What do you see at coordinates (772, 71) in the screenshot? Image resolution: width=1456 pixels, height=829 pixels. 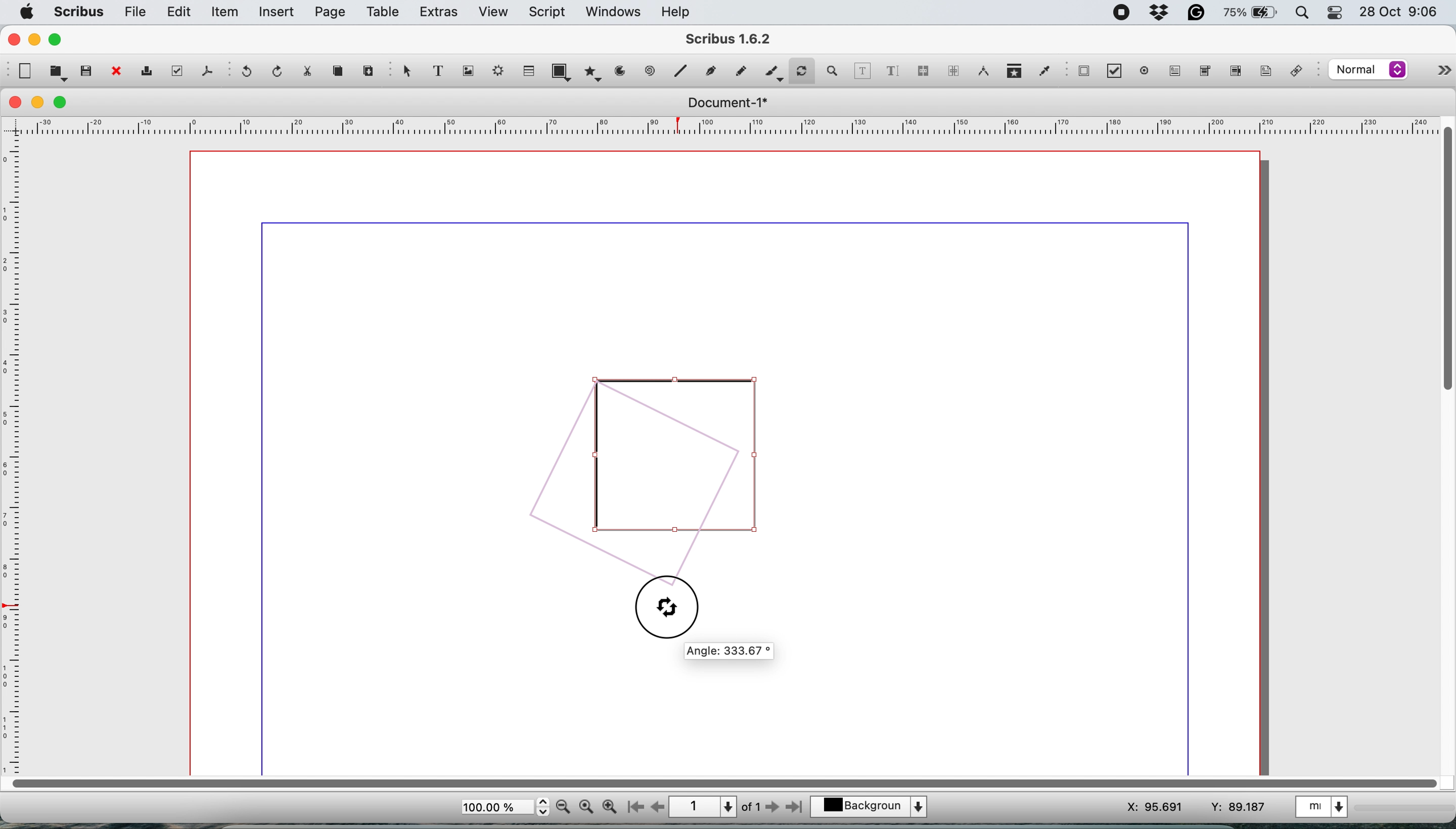 I see `calligraphic line` at bounding box center [772, 71].